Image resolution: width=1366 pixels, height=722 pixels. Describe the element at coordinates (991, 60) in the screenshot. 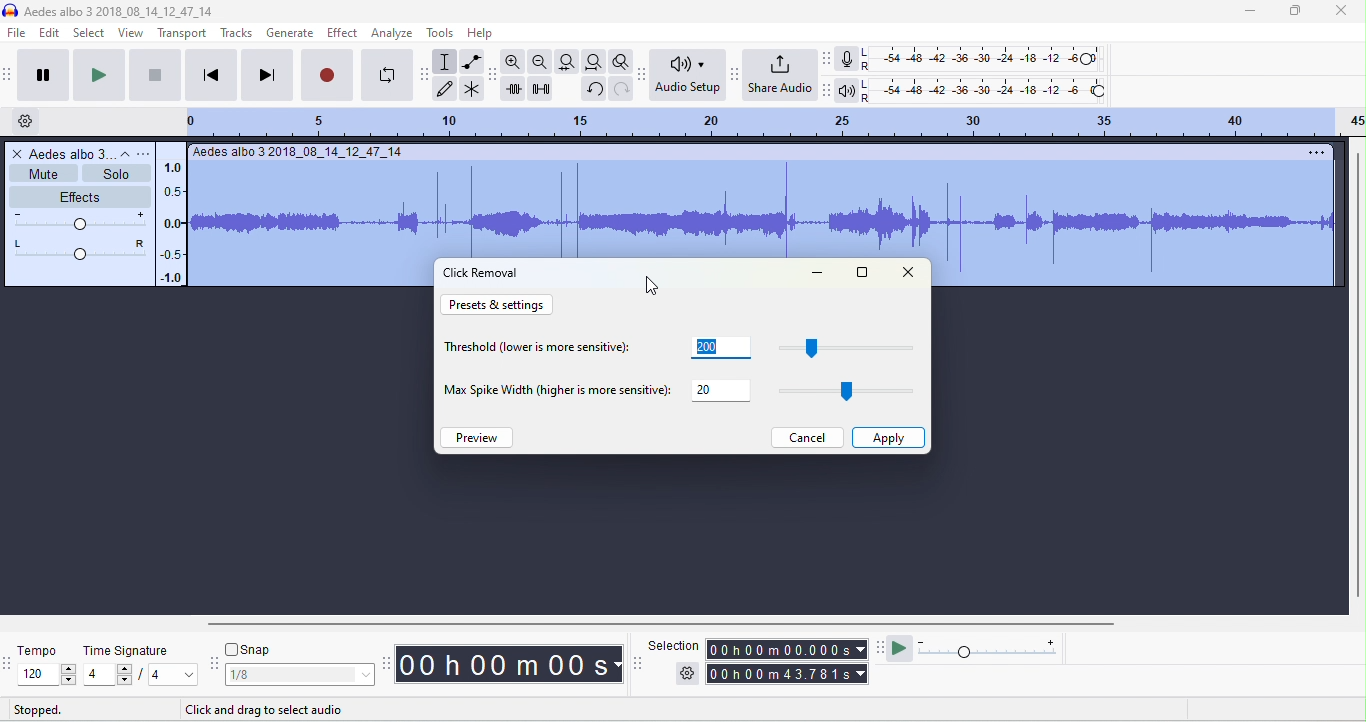

I see `recording level` at that location.